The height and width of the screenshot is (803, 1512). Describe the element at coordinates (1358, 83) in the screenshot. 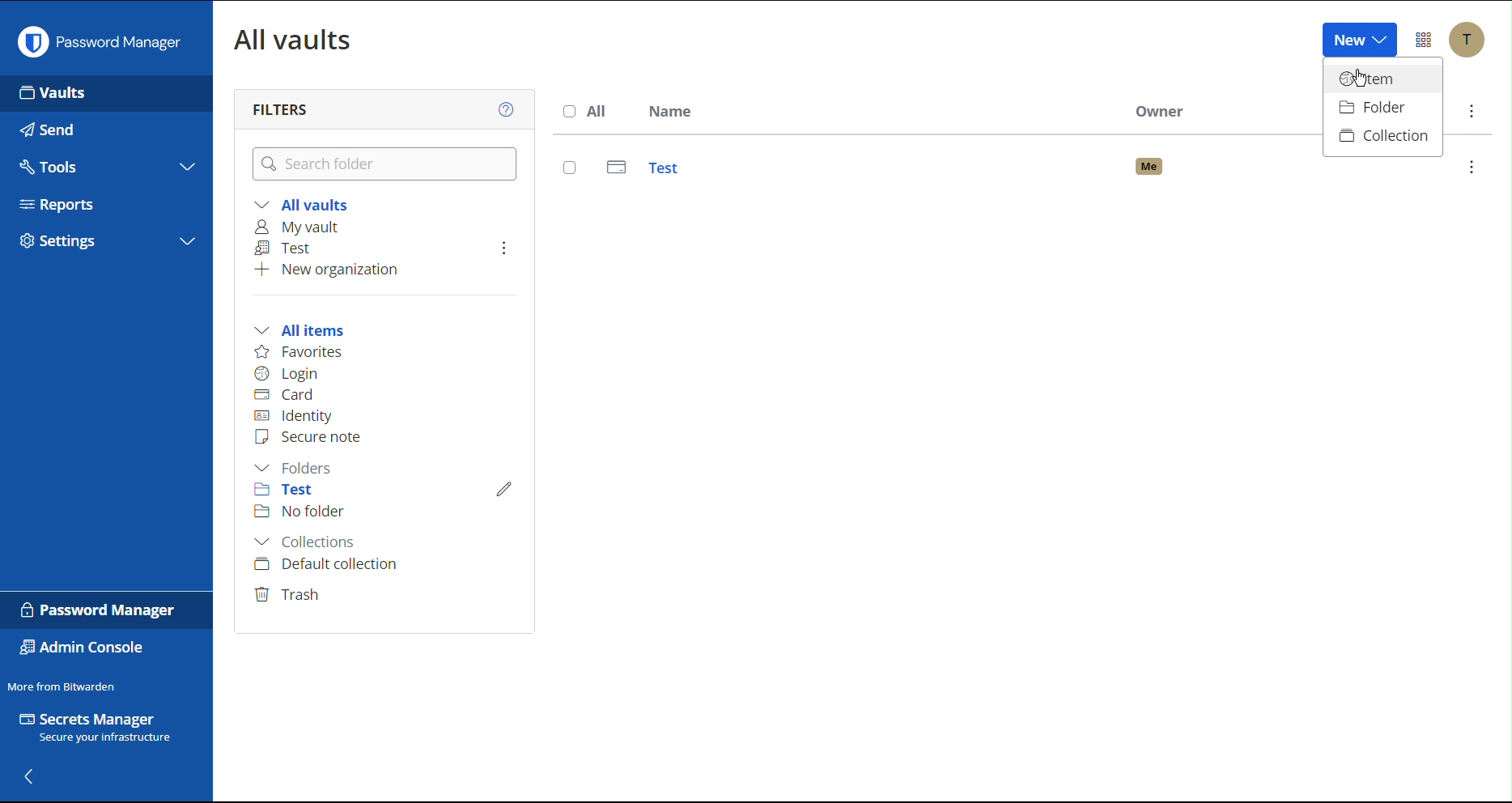

I see `Cursor` at that location.